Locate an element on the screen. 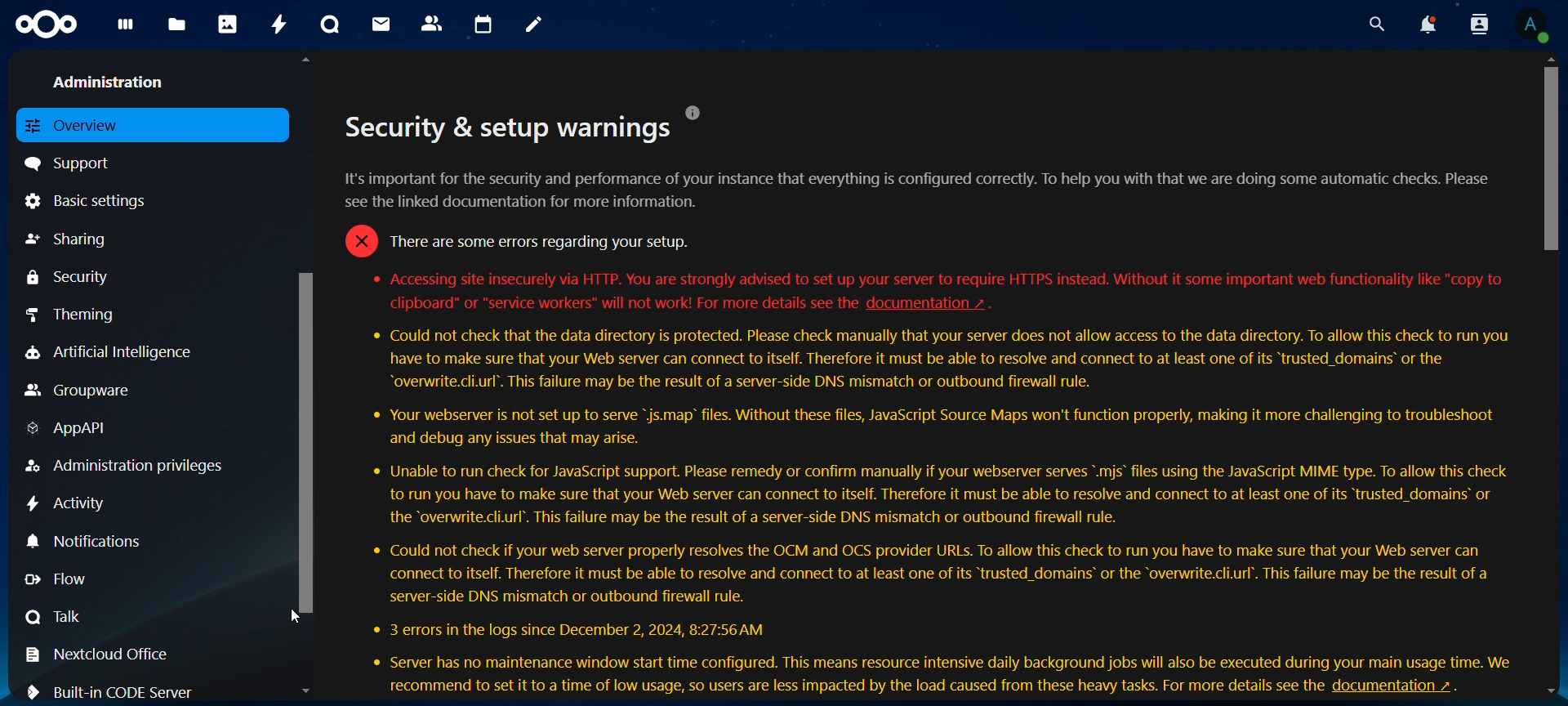  activity is located at coordinates (281, 25).